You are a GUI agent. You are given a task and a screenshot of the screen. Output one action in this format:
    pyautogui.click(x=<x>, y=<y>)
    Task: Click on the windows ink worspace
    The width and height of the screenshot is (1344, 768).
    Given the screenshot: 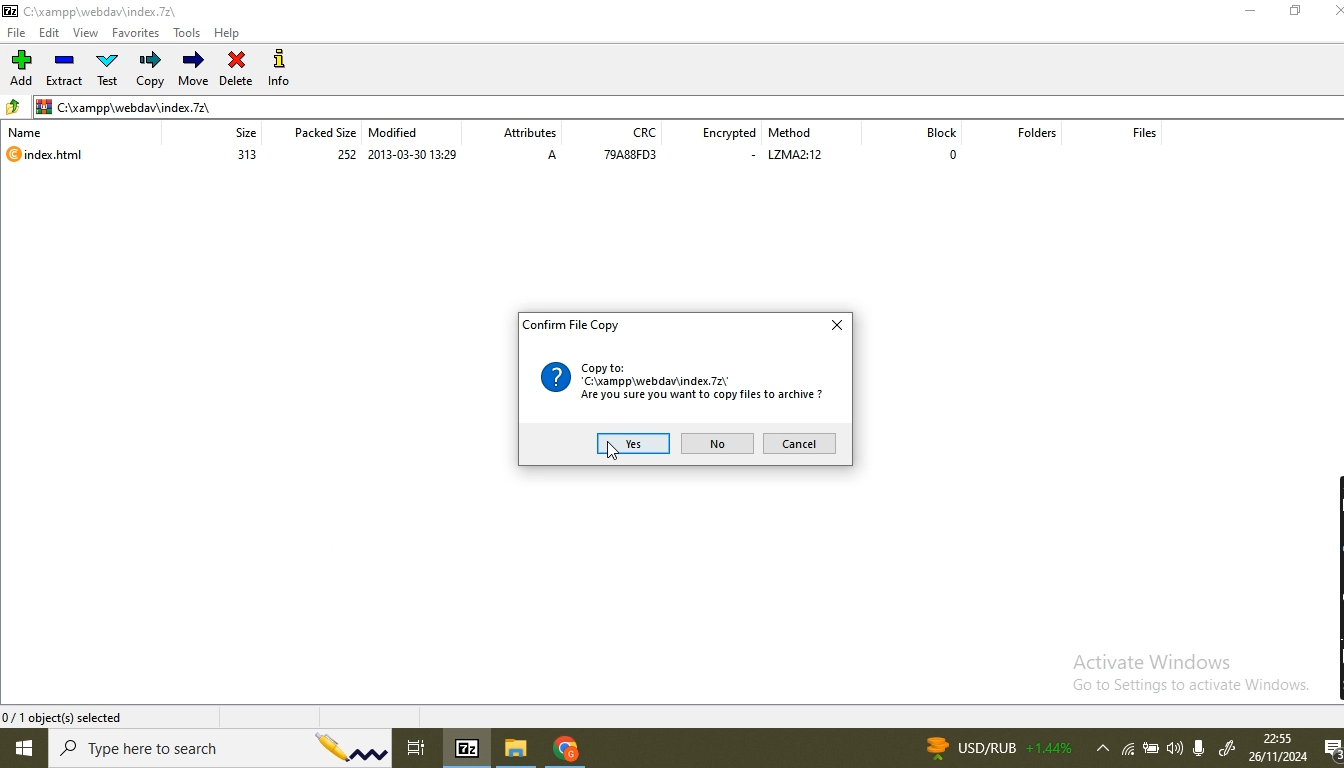 What is the action you would take?
    pyautogui.click(x=1228, y=750)
    